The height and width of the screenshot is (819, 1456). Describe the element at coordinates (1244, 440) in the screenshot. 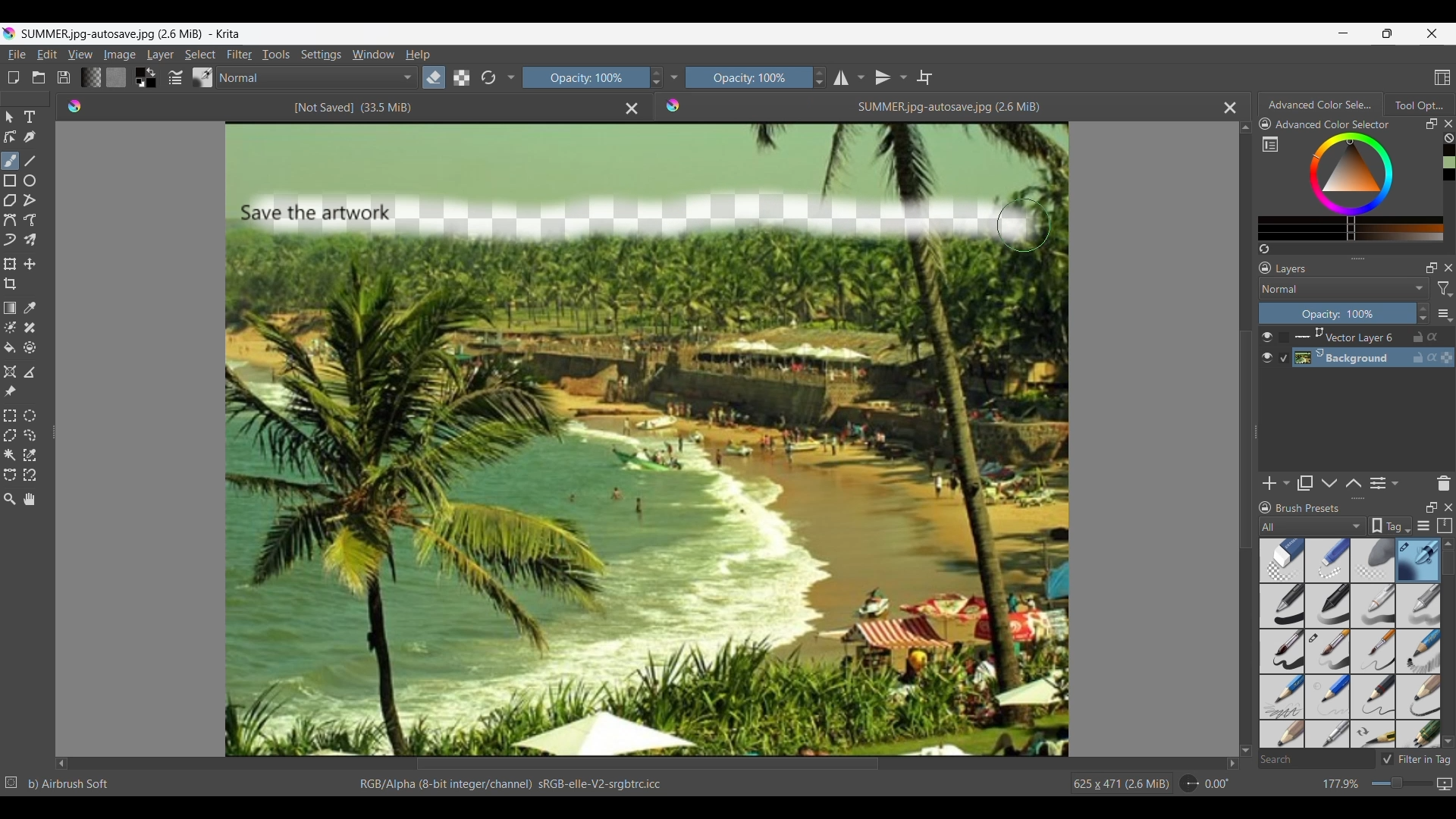

I see `Vertical slide bar` at that location.